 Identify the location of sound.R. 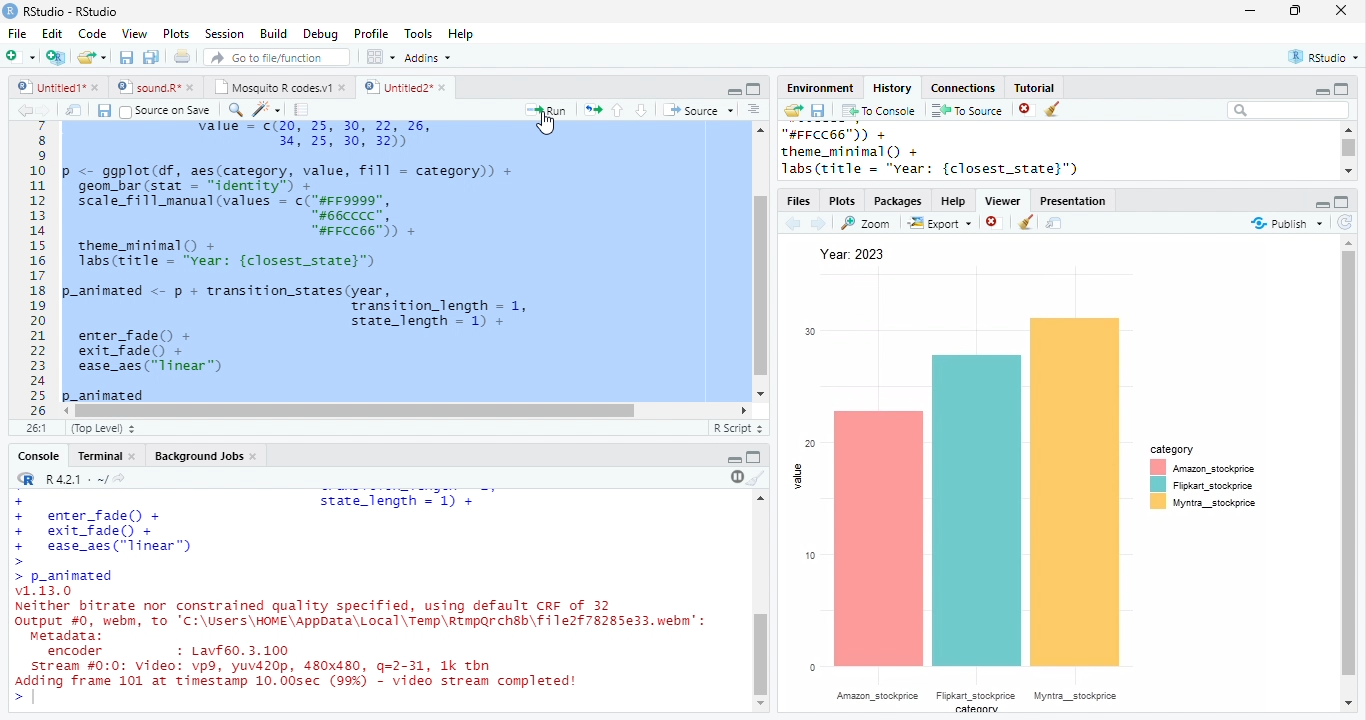
(147, 88).